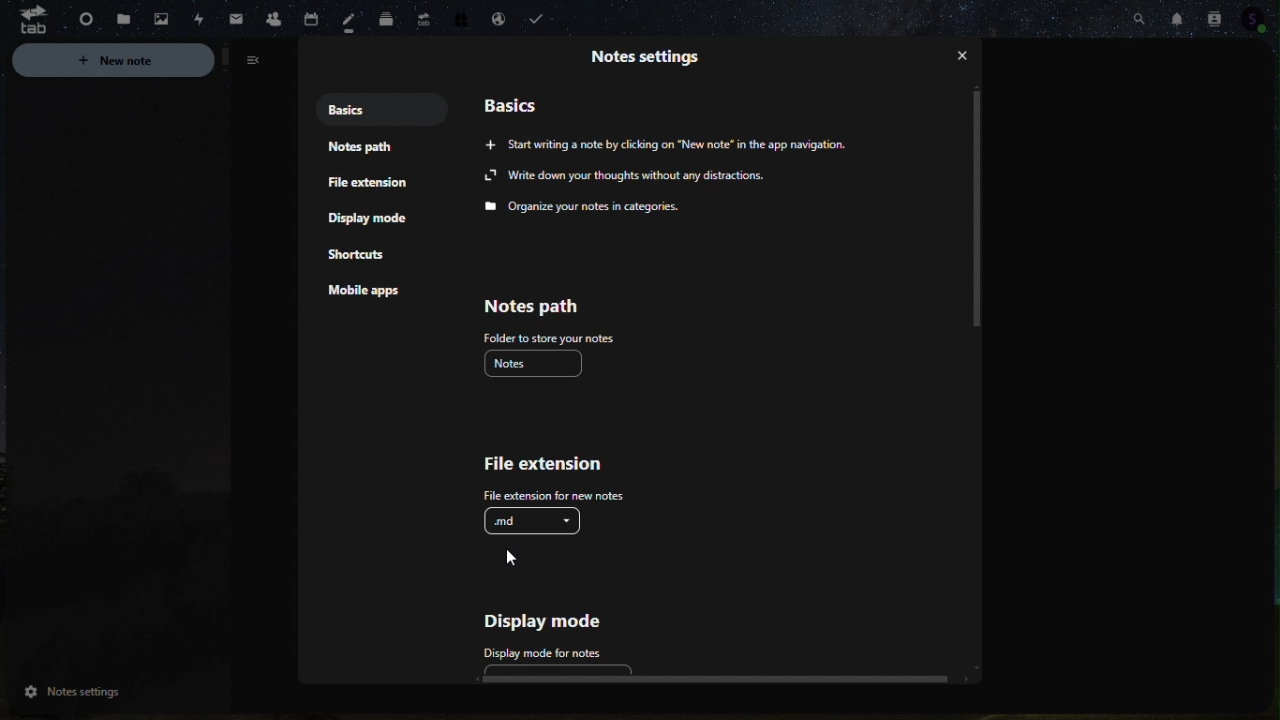  Describe the element at coordinates (535, 363) in the screenshot. I see `notes` at that location.